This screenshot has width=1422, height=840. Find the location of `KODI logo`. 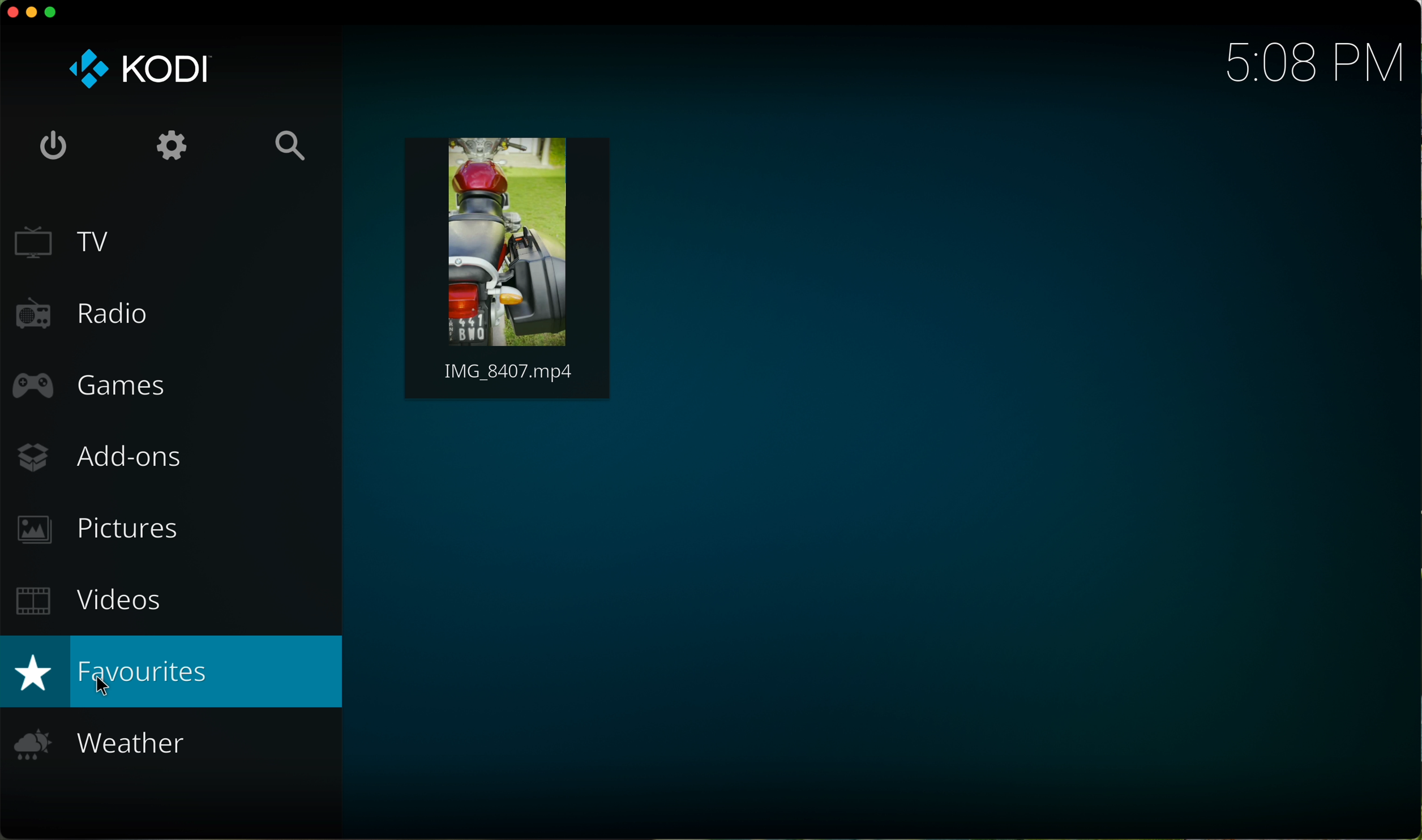

KODI logo is located at coordinates (138, 69).